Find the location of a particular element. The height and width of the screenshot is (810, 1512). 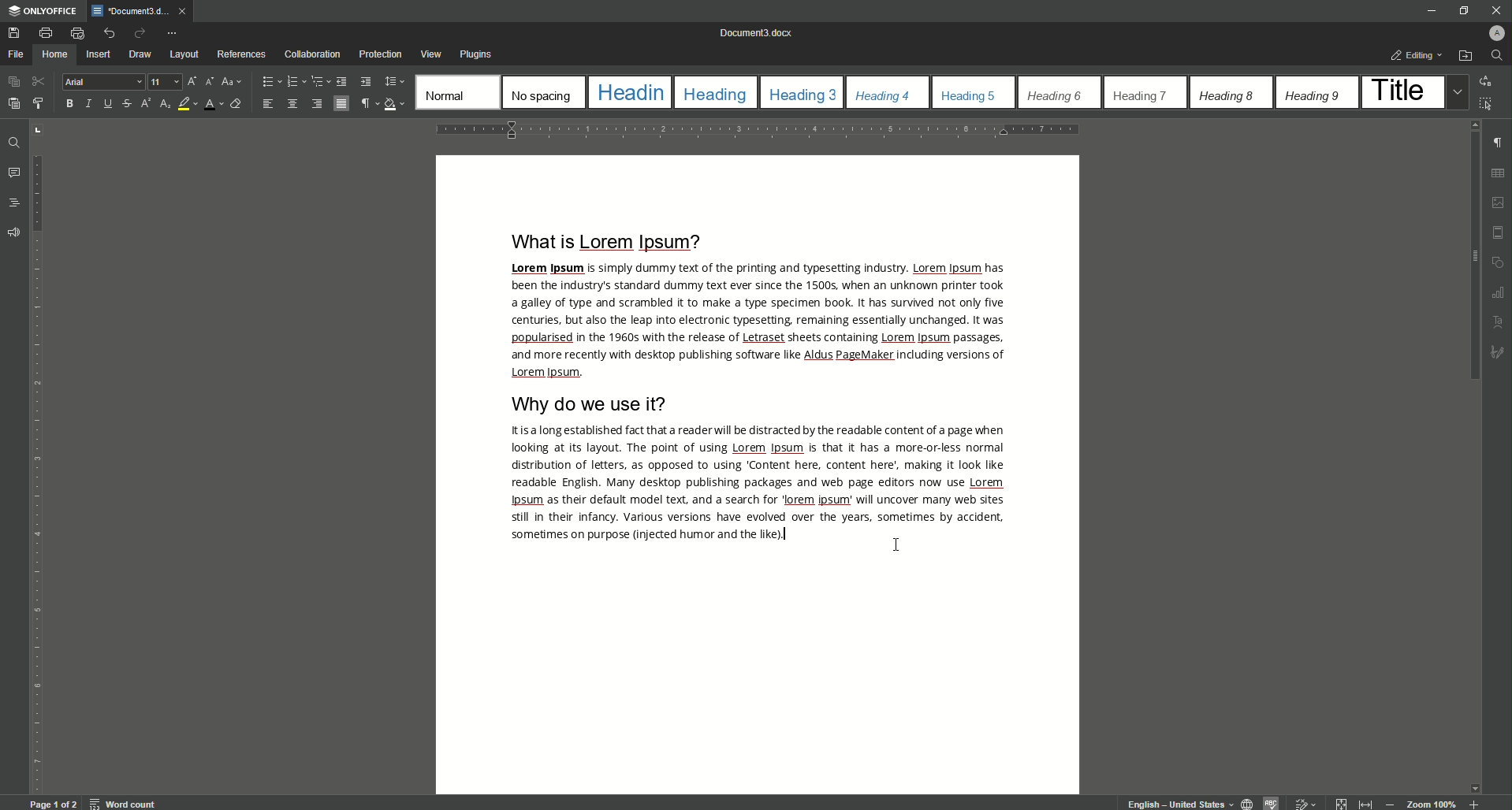

Profile is located at coordinates (1495, 33).